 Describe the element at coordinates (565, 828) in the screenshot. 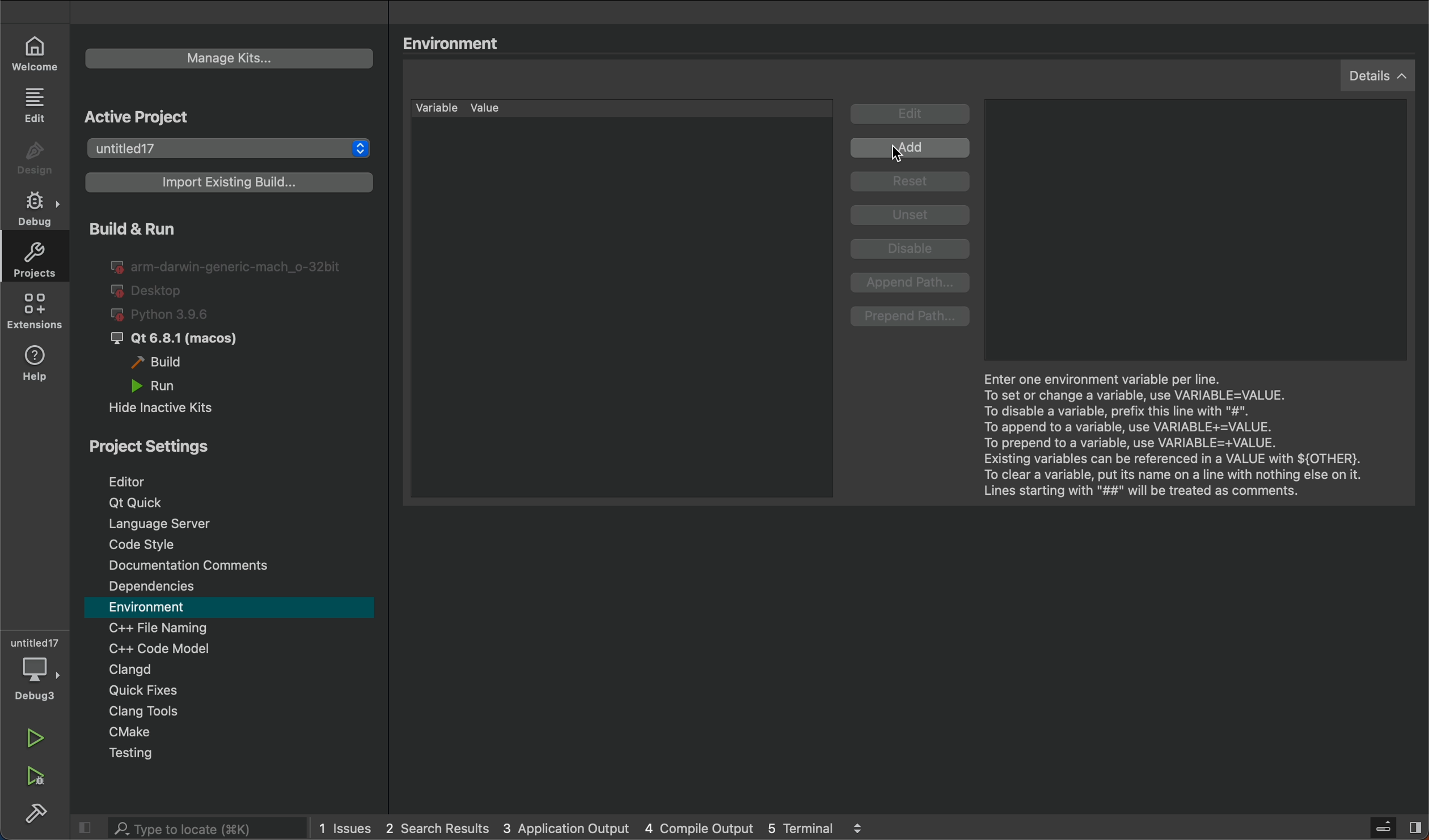

I see `3 application output` at that location.